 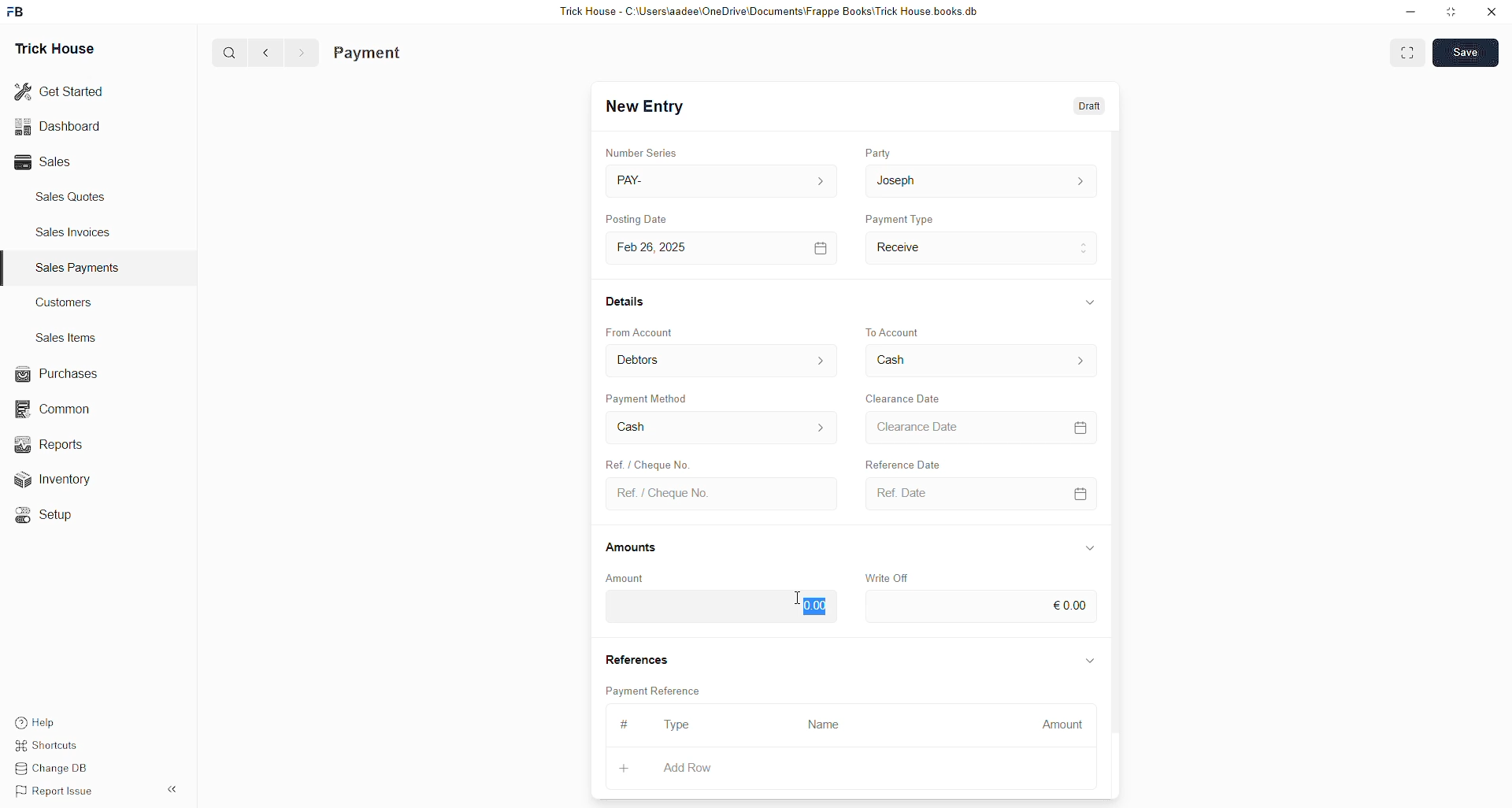 What do you see at coordinates (59, 443) in the screenshot?
I see `Reports` at bounding box center [59, 443].